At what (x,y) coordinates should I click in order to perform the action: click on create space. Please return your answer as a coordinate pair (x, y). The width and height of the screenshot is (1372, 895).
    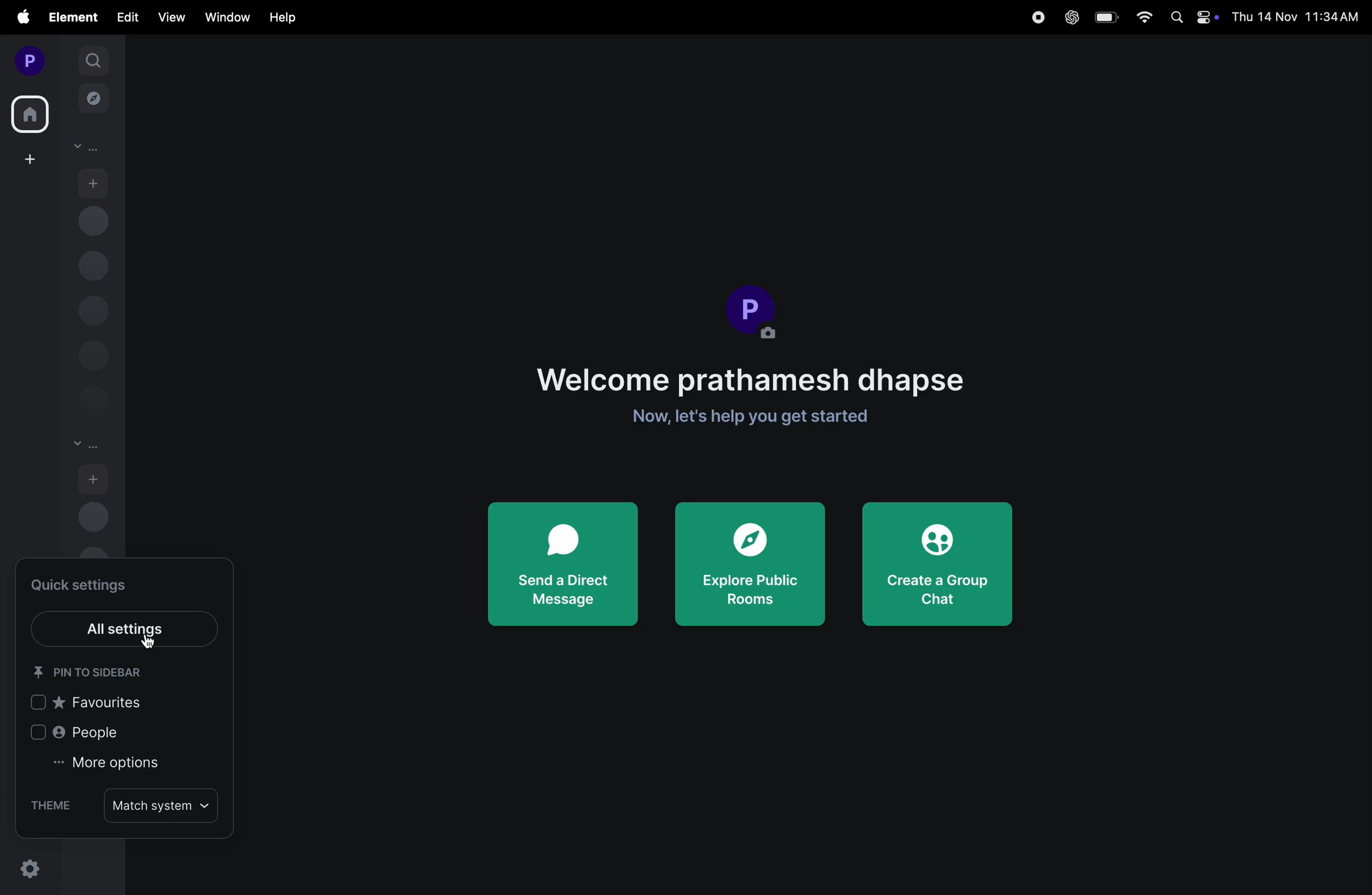
    Looking at the image, I should click on (28, 159).